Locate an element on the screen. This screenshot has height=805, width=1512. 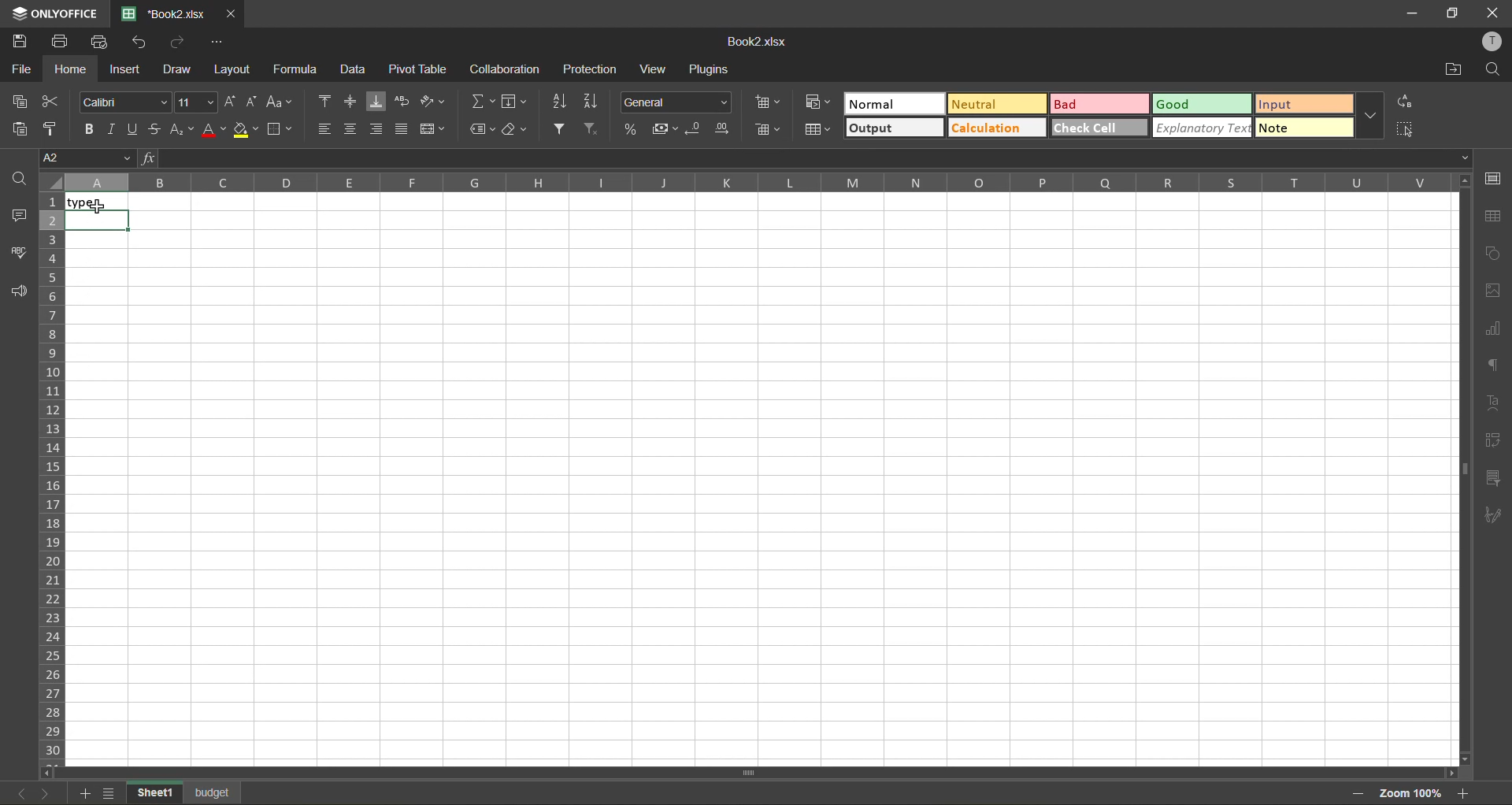
decrement size is located at coordinates (256, 103).